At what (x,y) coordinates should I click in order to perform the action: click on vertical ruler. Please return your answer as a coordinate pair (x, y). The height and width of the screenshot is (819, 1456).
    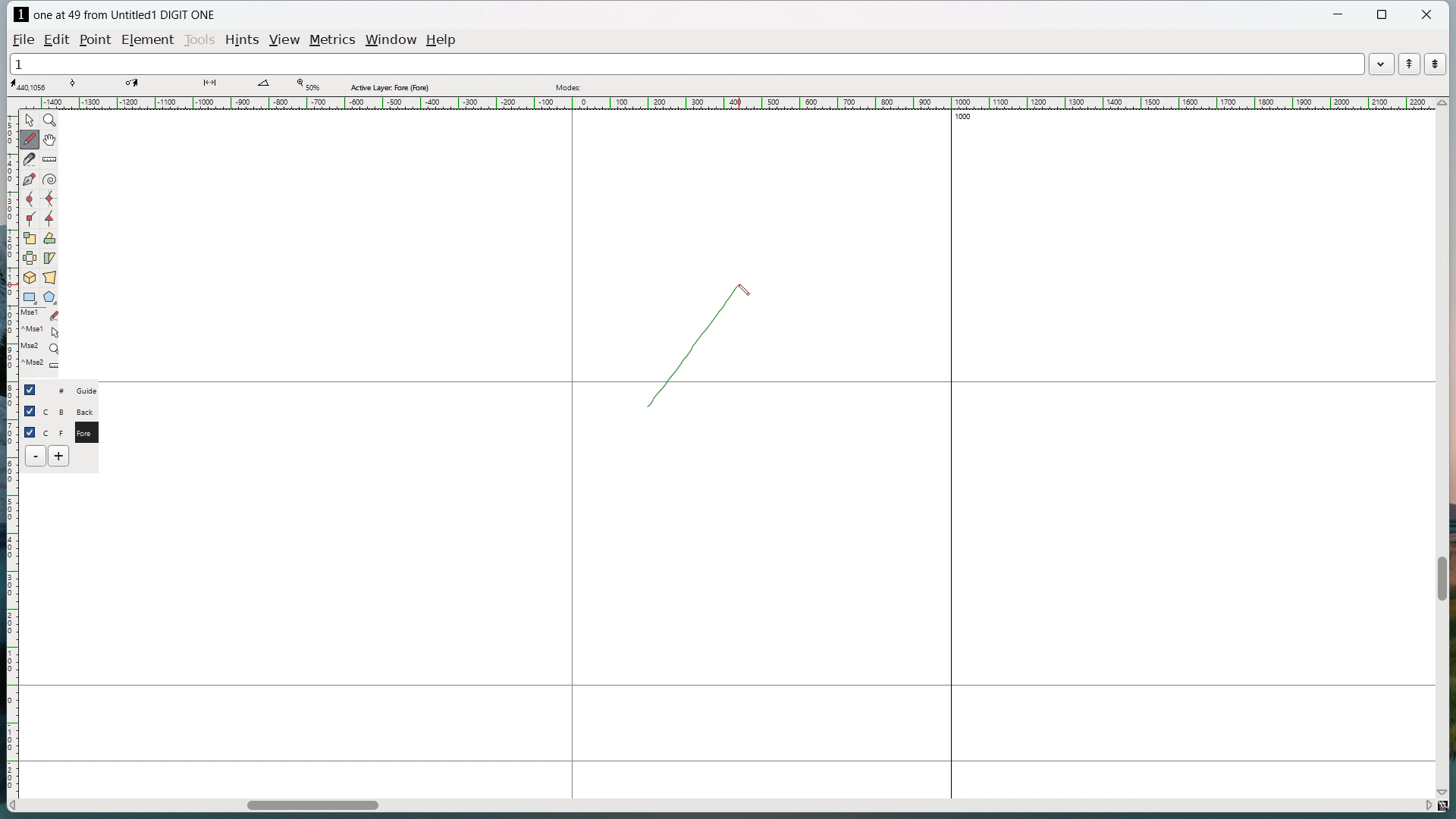
    Looking at the image, I should click on (11, 446).